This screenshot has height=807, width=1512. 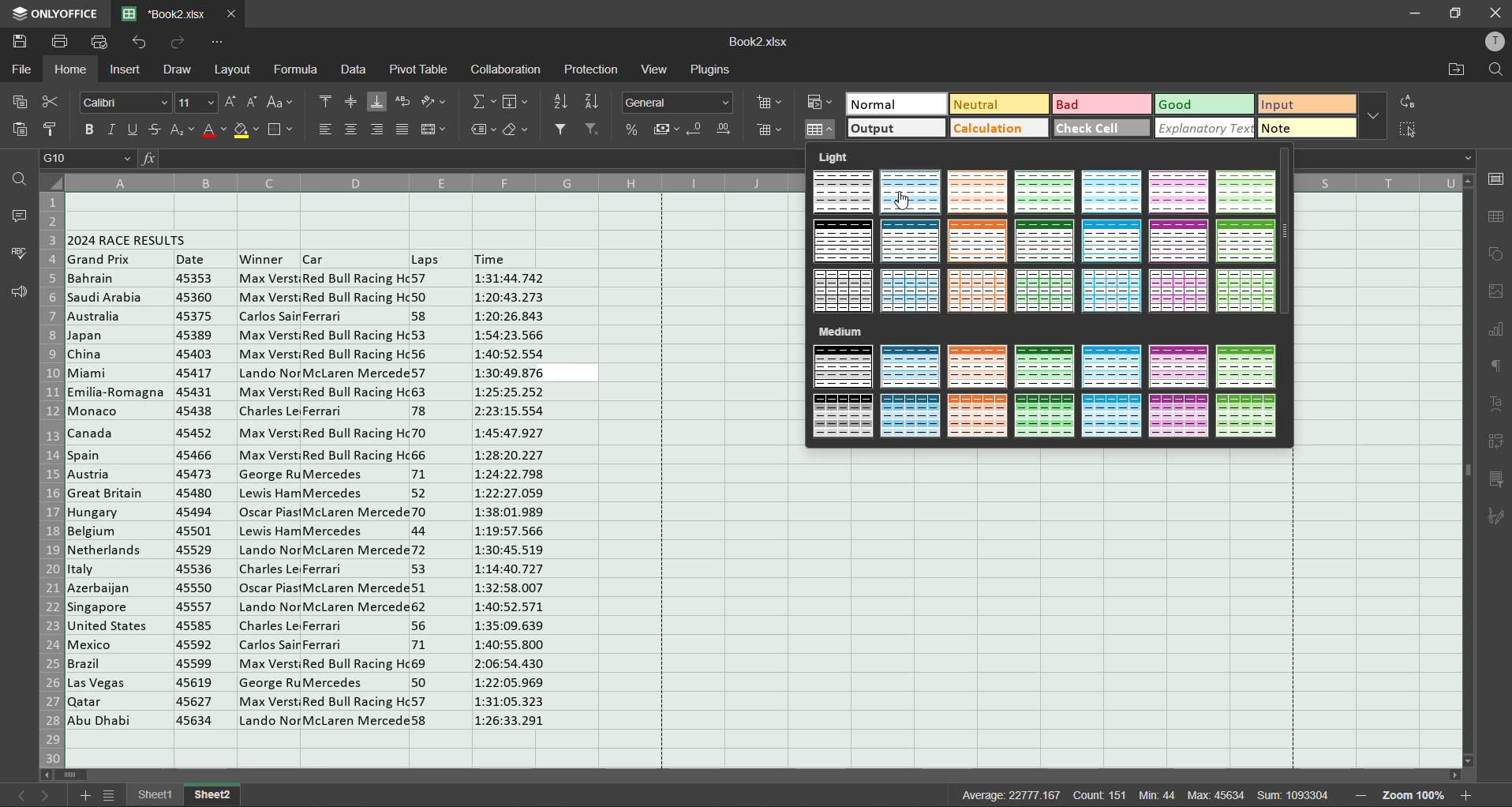 What do you see at coordinates (203, 497) in the screenshot?
I see `date` at bounding box center [203, 497].